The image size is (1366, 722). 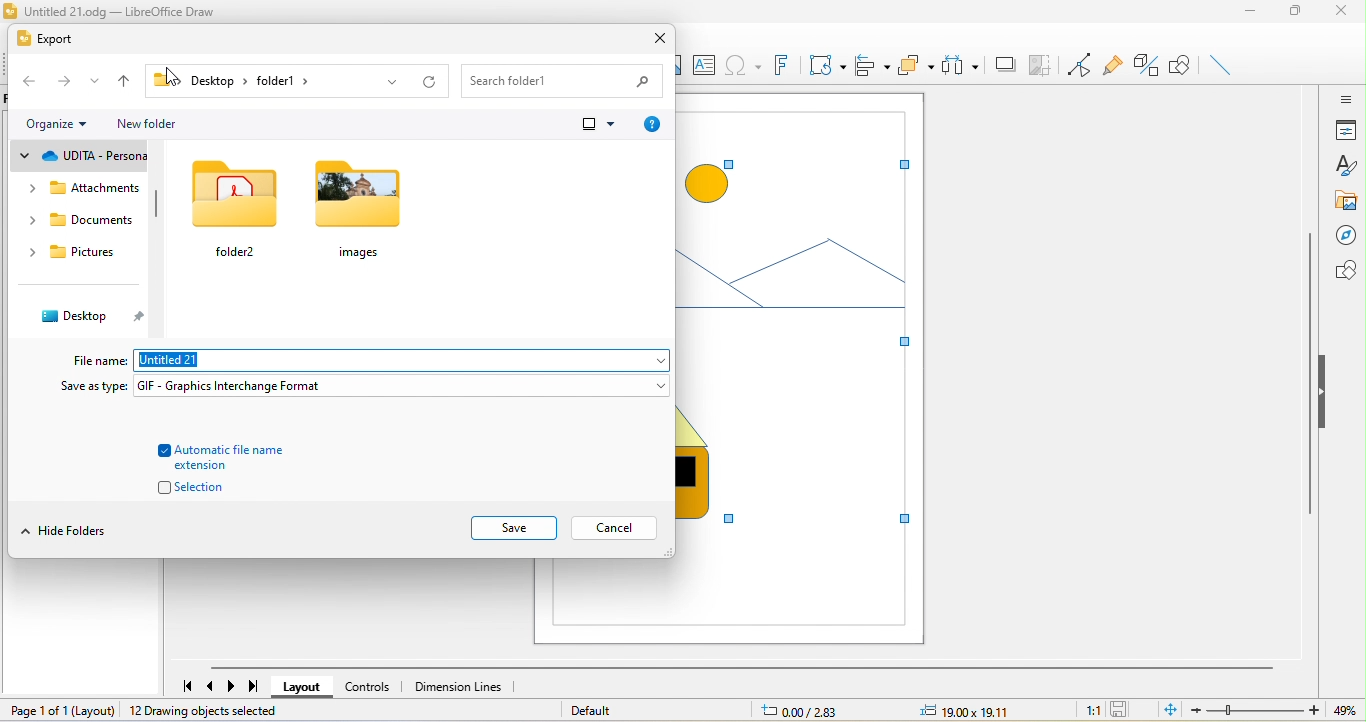 What do you see at coordinates (254, 687) in the screenshot?
I see `last` at bounding box center [254, 687].